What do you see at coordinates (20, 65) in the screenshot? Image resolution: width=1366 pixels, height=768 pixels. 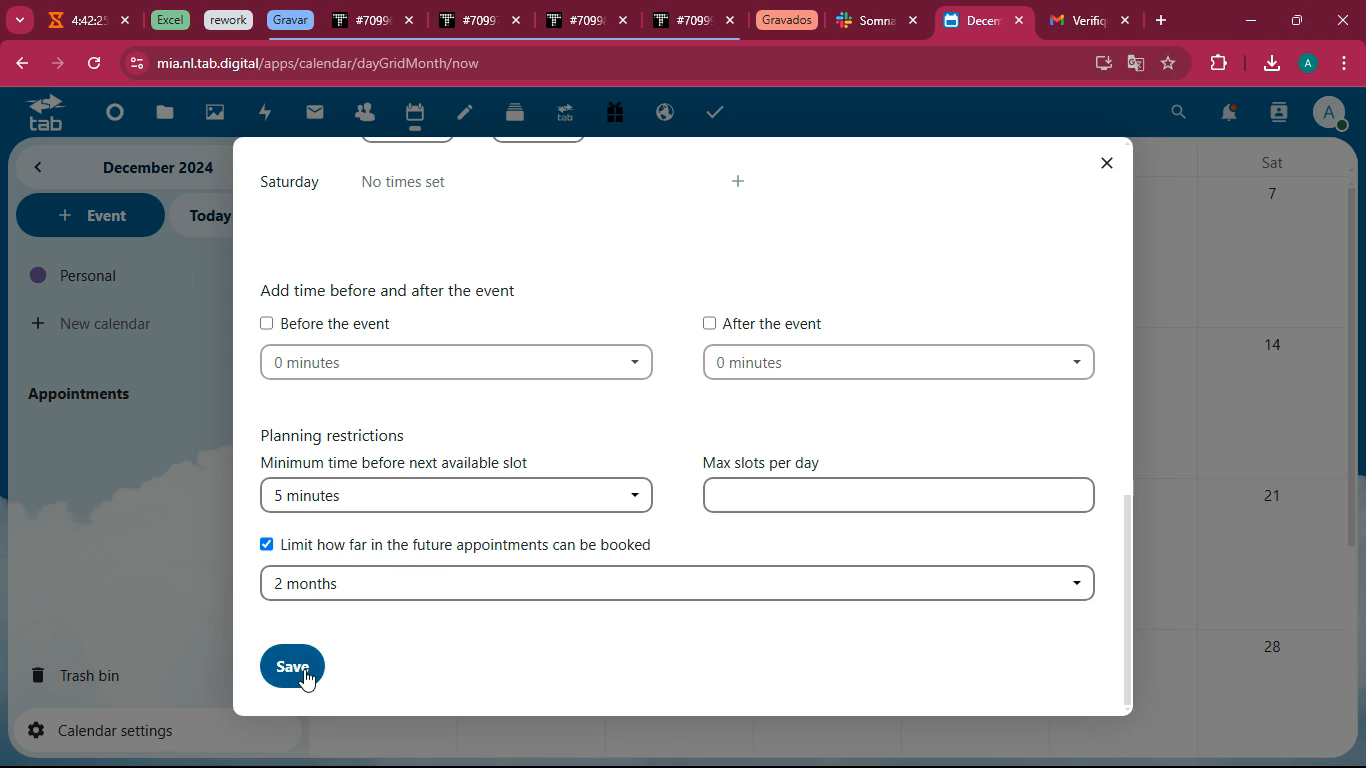 I see `back` at bounding box center [20, 65].